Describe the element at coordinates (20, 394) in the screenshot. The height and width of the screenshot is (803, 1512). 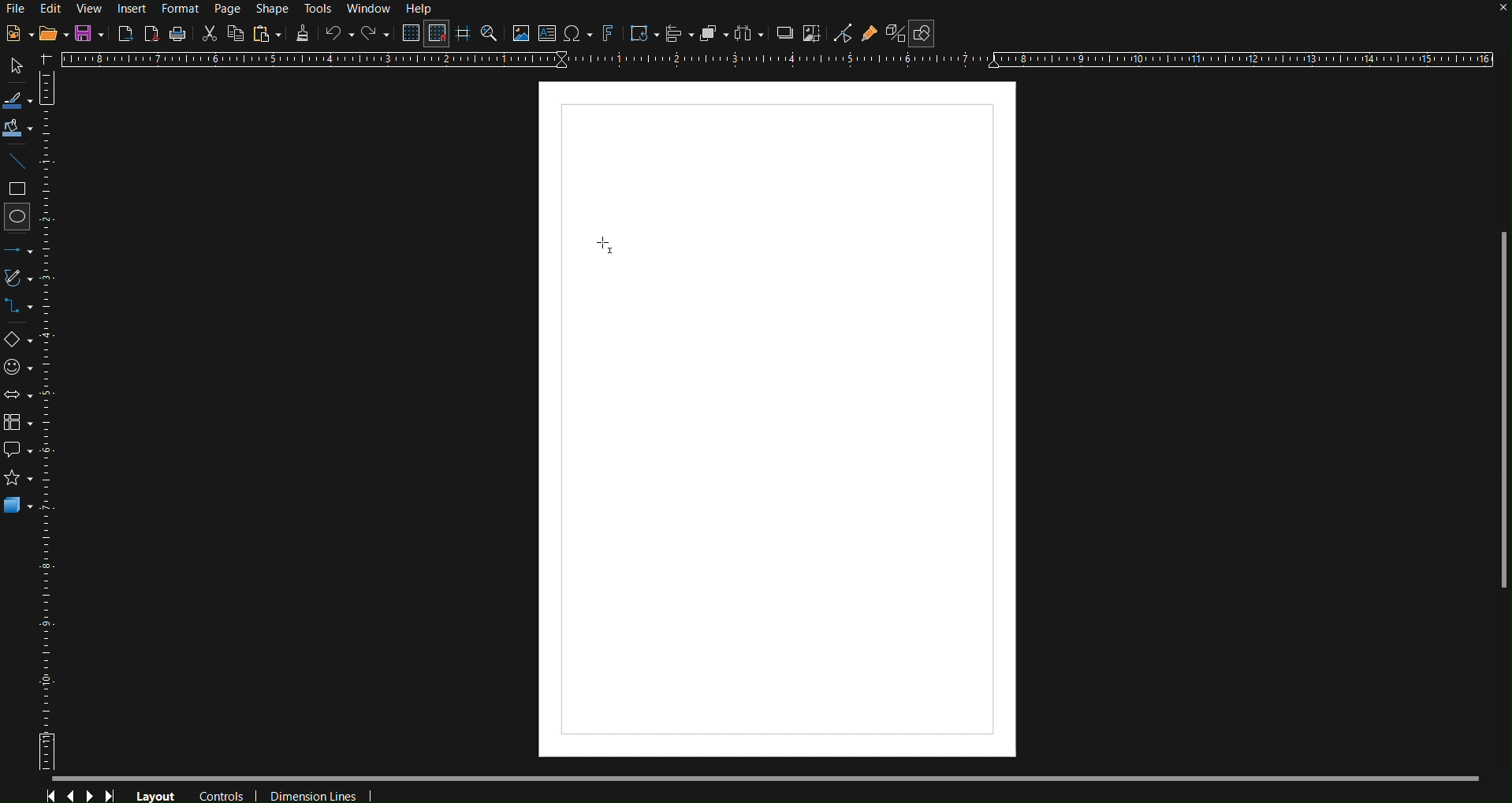
I see `Block Arrows` at that location.